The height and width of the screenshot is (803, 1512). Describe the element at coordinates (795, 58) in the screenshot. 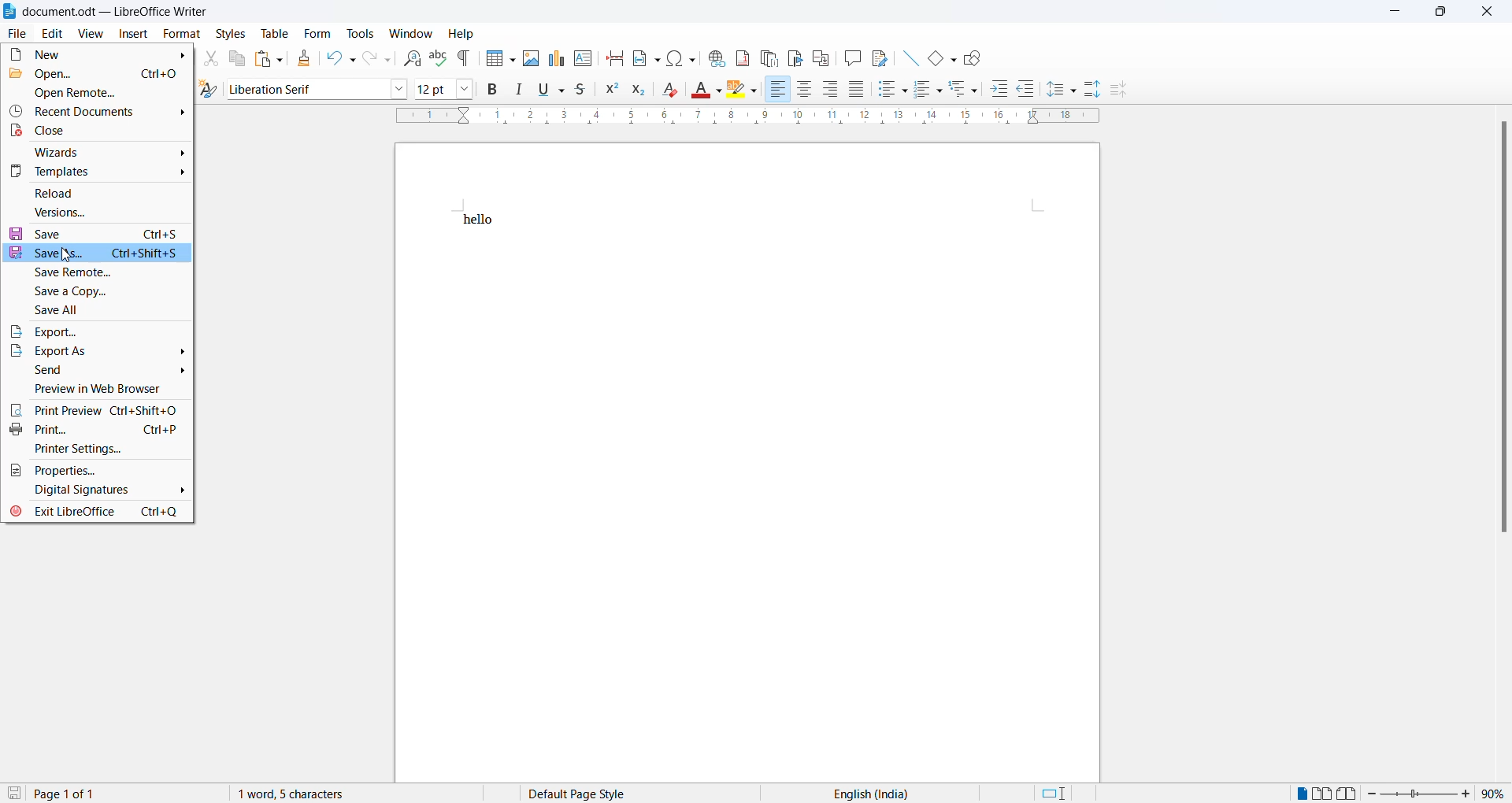

I see `Insert bookmark` at that location.